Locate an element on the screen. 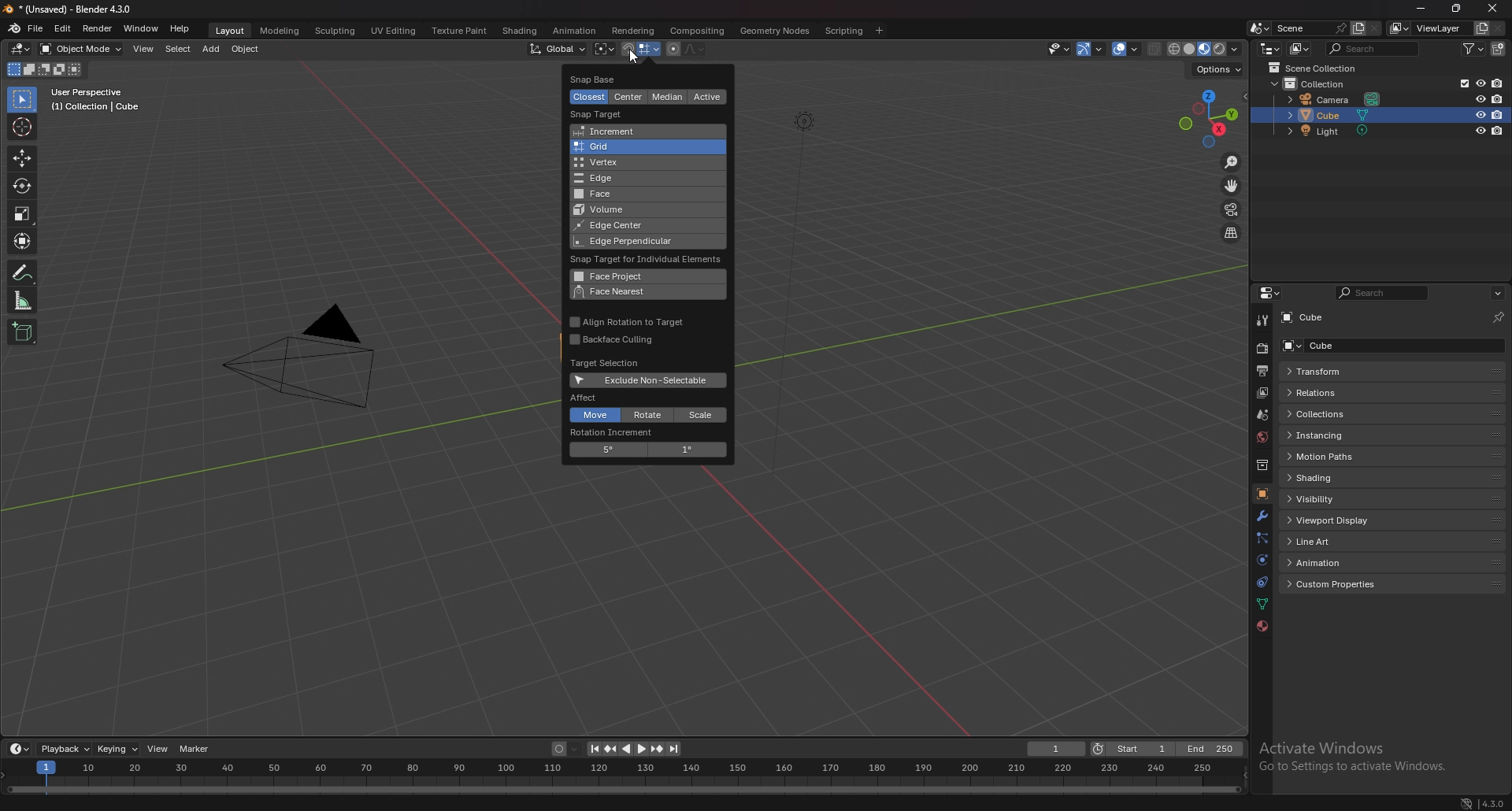 The height and width of the screenshot is (811, 1512). jump to previous keyframe is located at coordinates (613, 749).